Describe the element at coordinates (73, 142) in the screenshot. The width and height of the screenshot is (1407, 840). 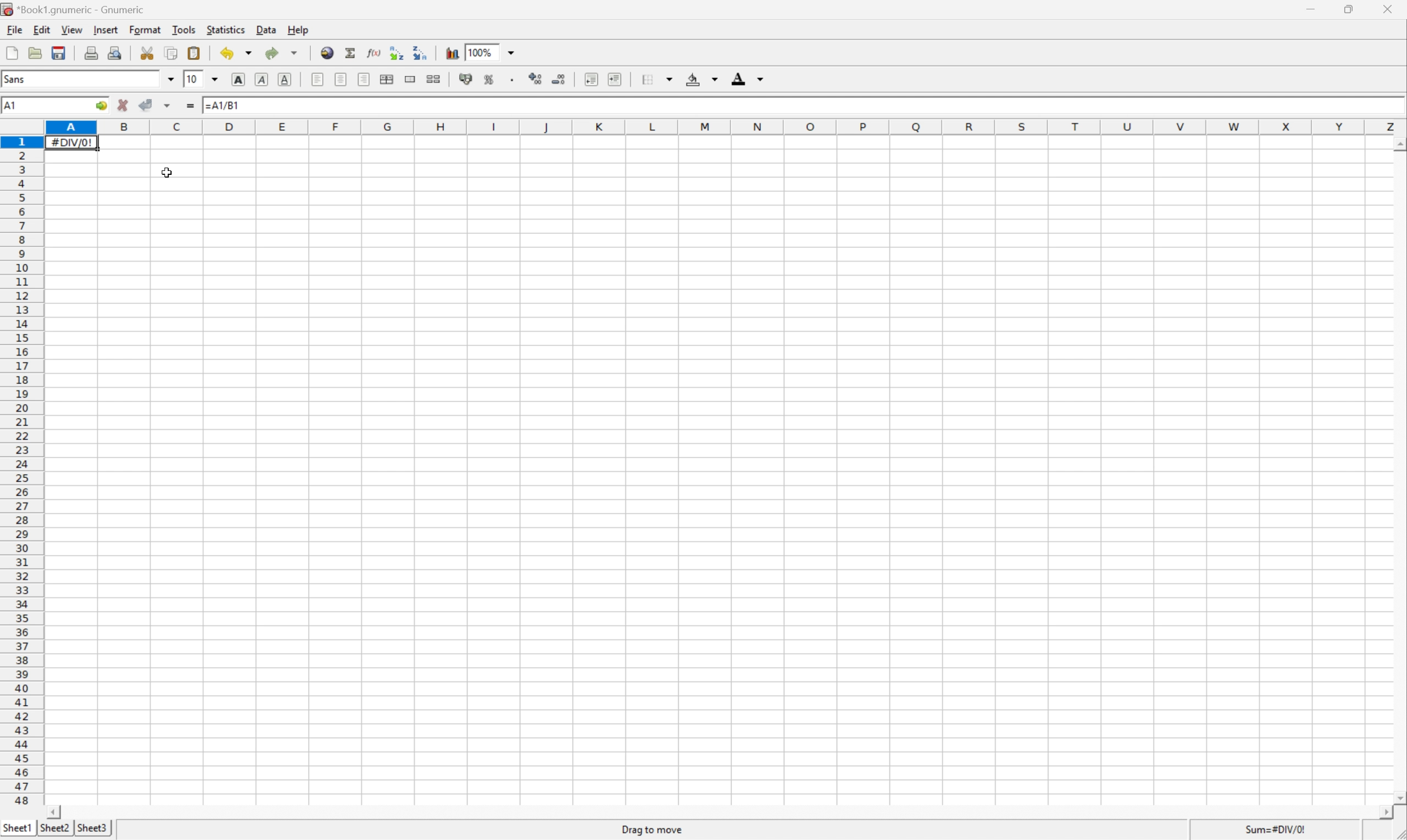
I see `#DIV/0!` at that location.